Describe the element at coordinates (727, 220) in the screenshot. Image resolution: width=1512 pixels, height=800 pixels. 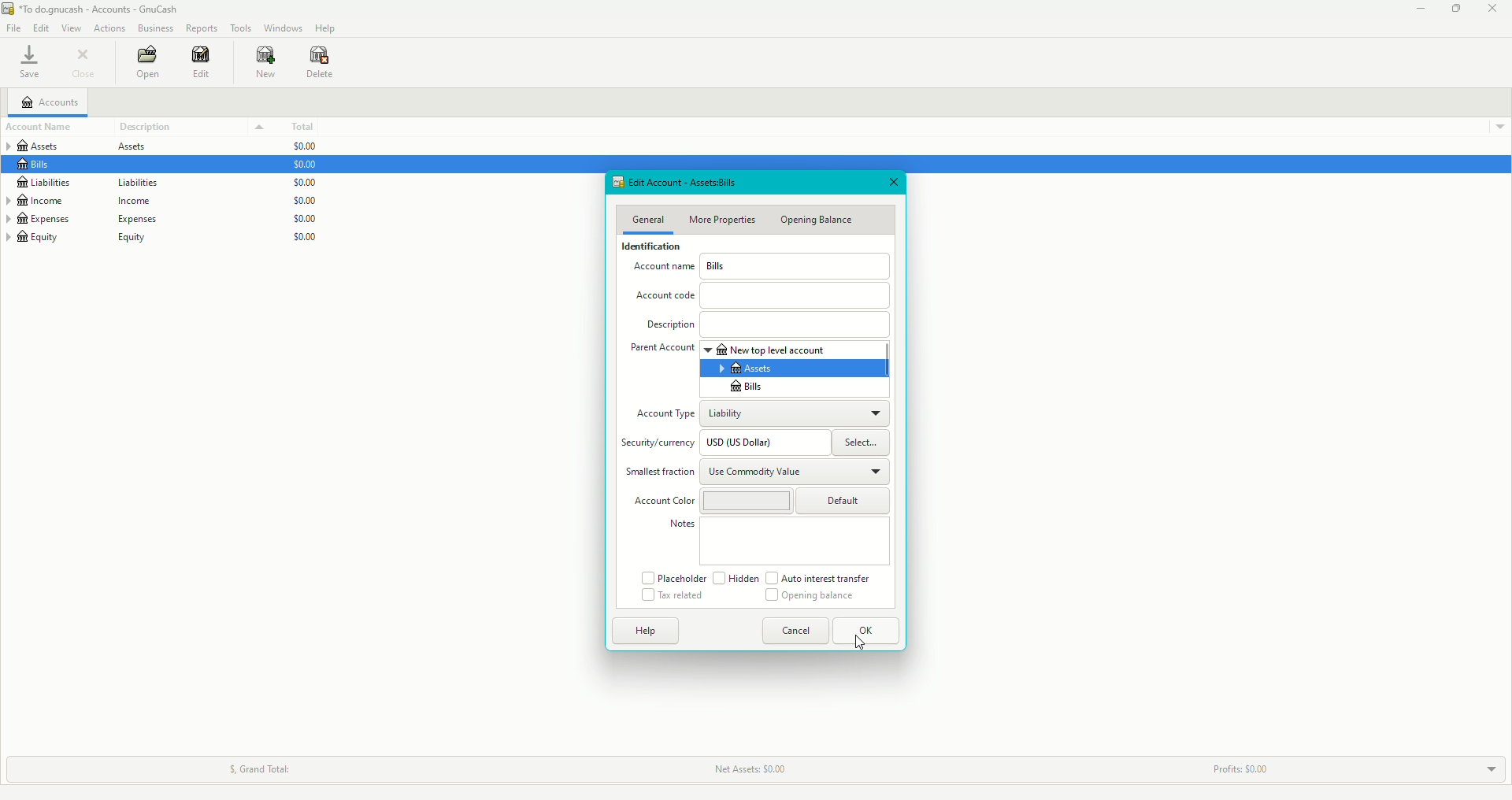
I see `More Properties` at that location.